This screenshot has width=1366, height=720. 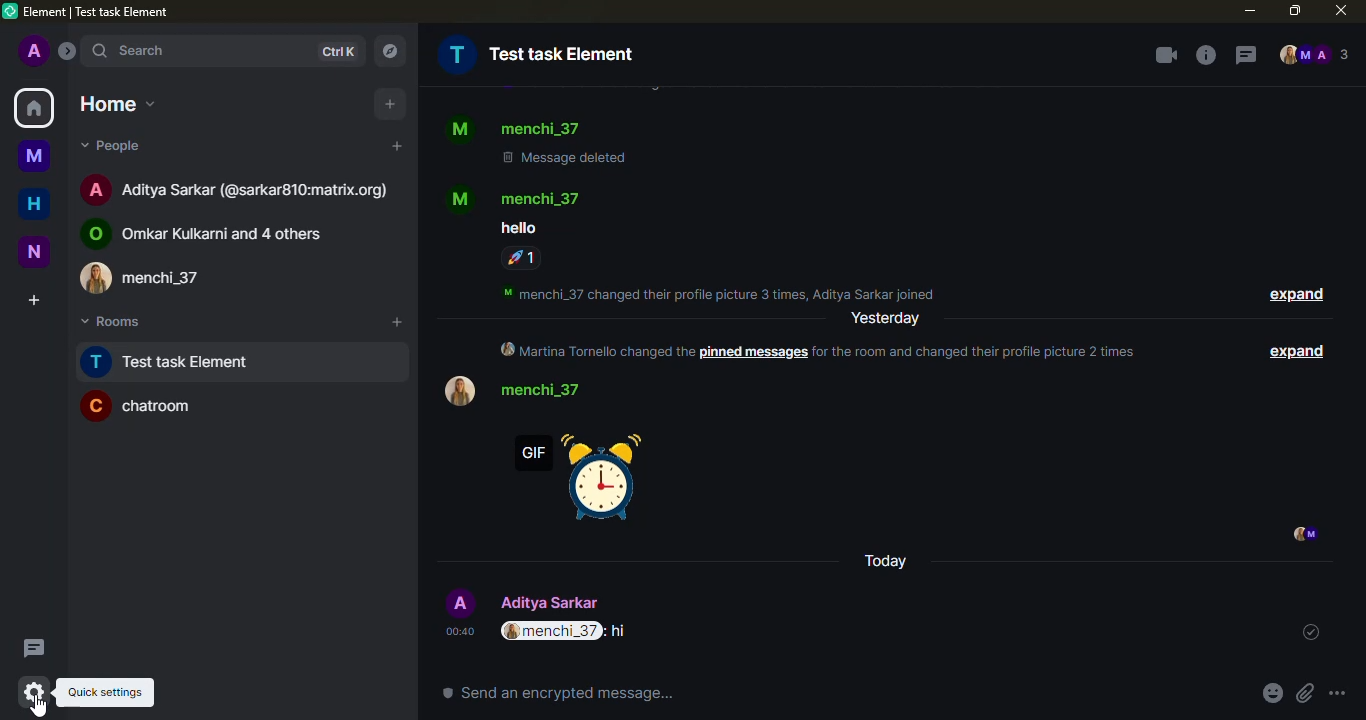 What do you see at coordinates (1337, 694) in the screenshot?
I see `more` at bounding box center [1337, 694].